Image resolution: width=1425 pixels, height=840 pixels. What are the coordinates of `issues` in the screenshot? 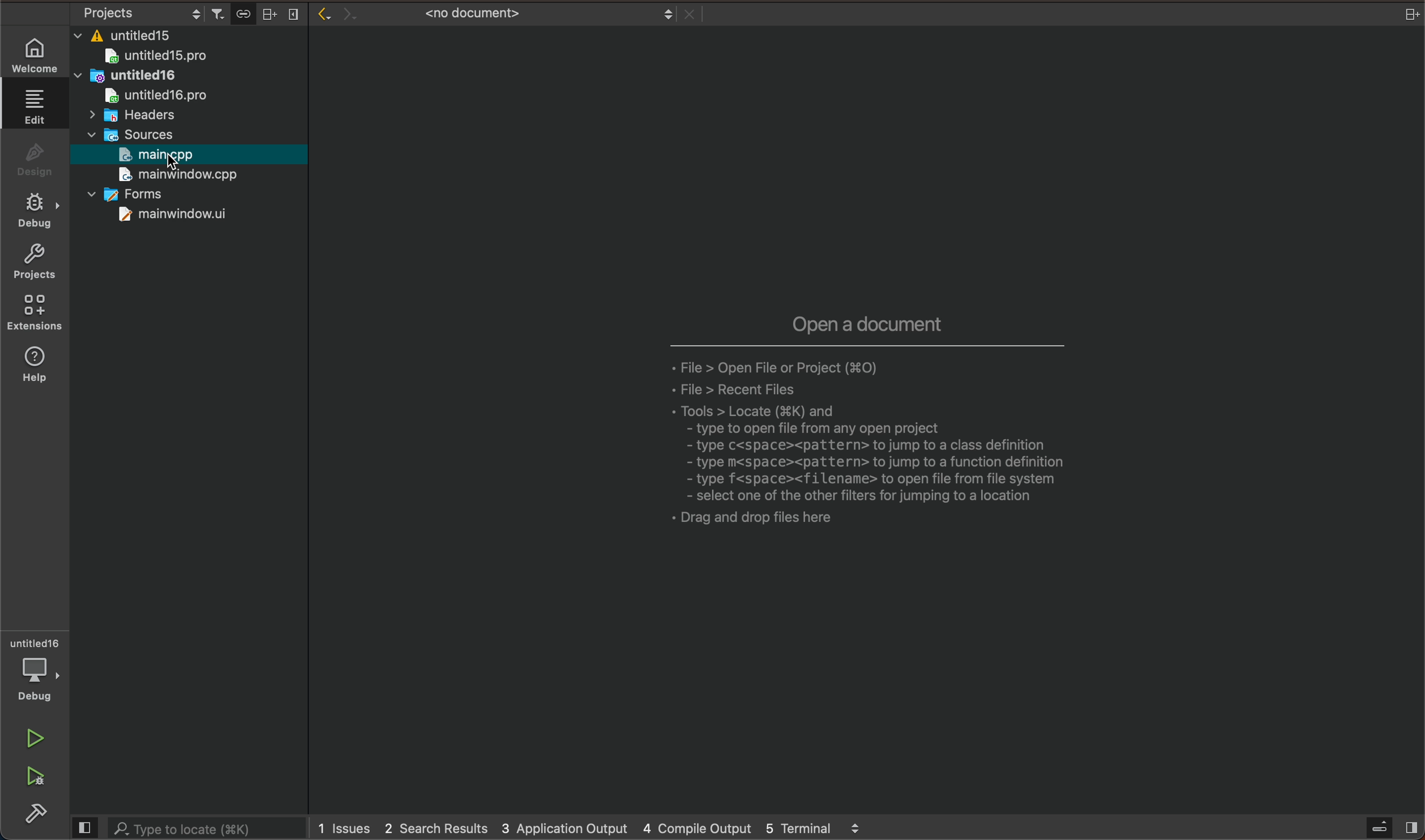 It's located at (343, 828).